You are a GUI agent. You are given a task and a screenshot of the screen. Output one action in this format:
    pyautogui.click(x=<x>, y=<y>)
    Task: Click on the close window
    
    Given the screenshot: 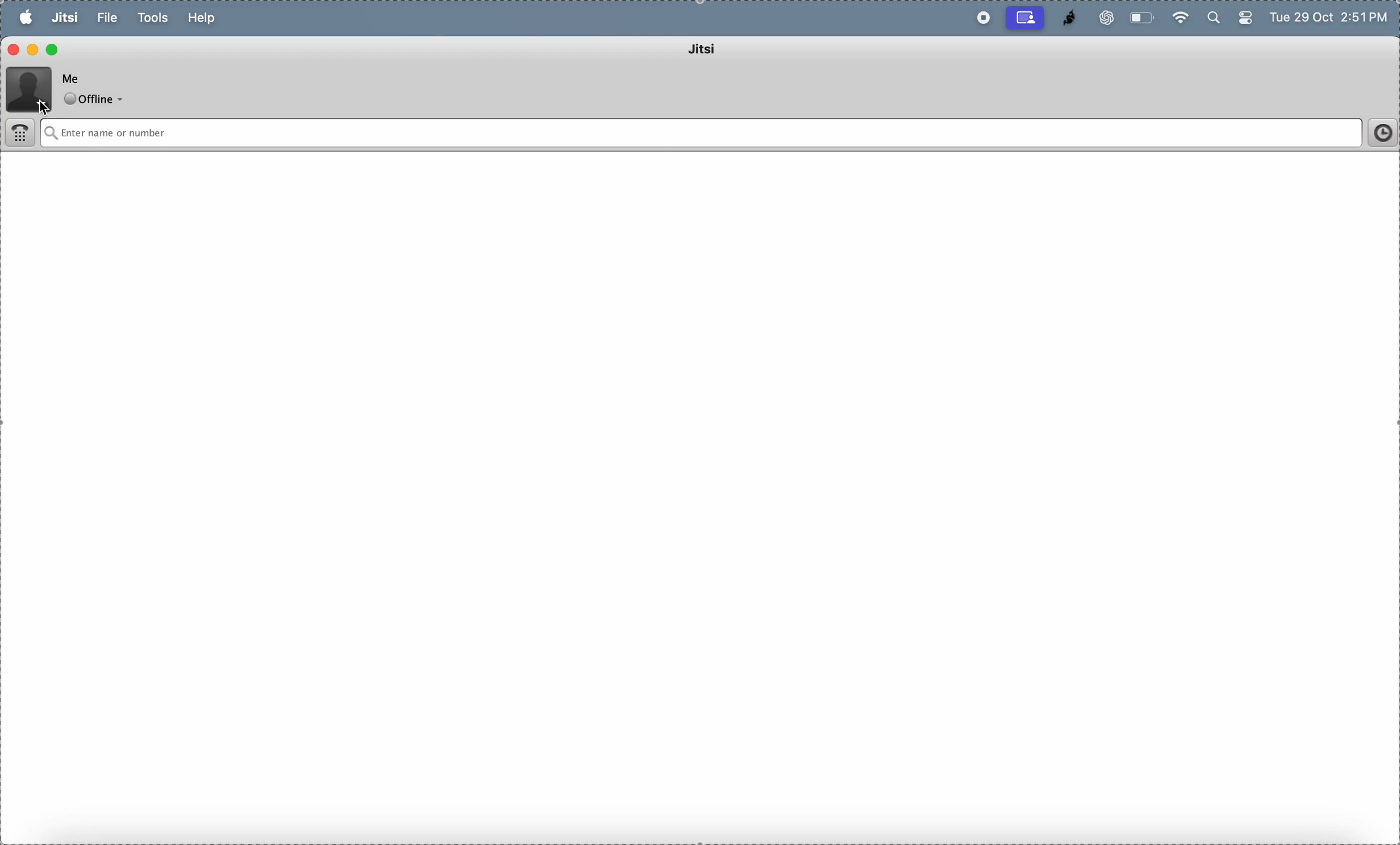 What is the action you would take?
    pyautogui.click(x=14, y=51)
    